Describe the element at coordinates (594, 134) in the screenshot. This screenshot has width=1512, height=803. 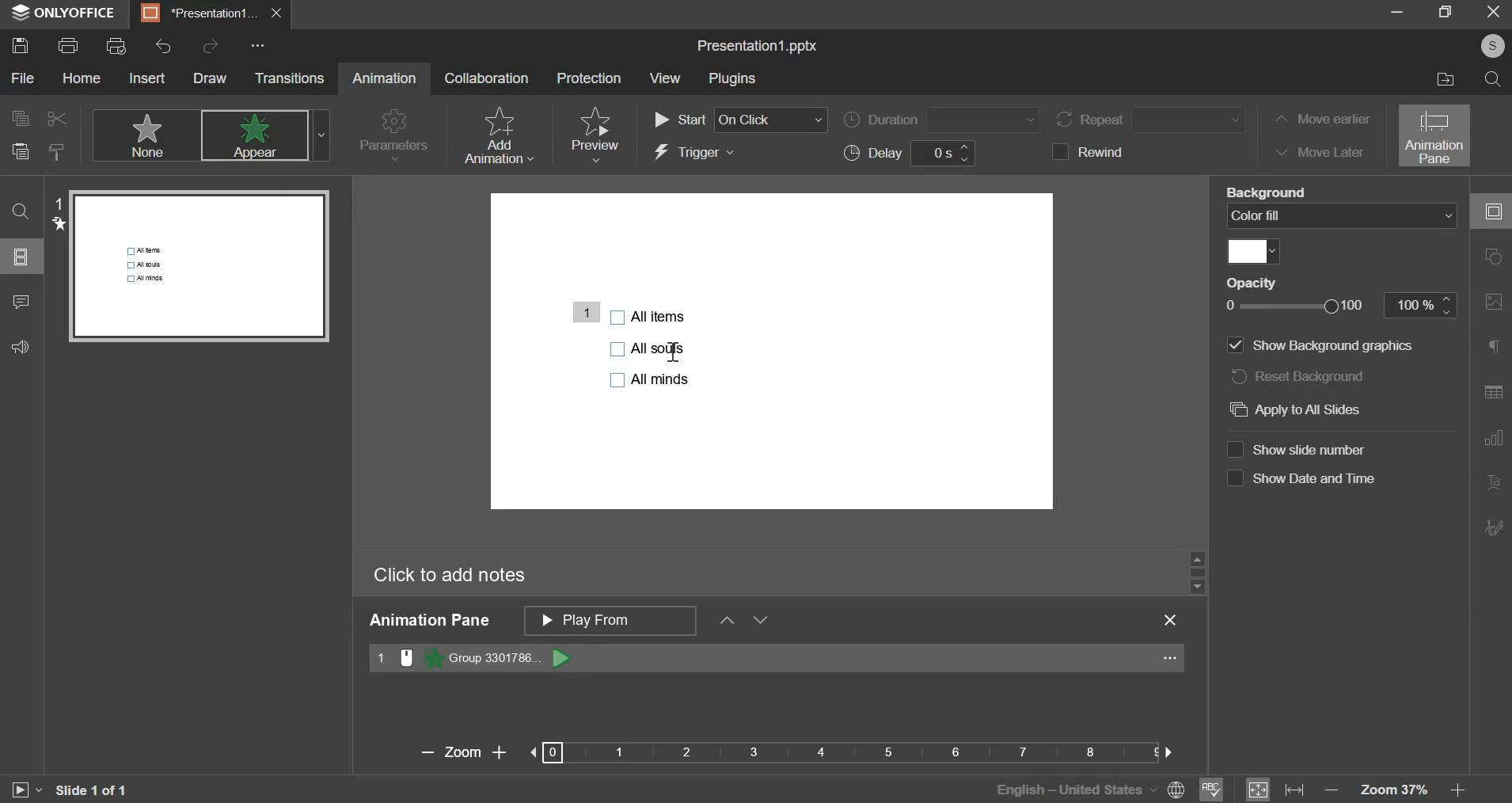
I see `preview` at that location.